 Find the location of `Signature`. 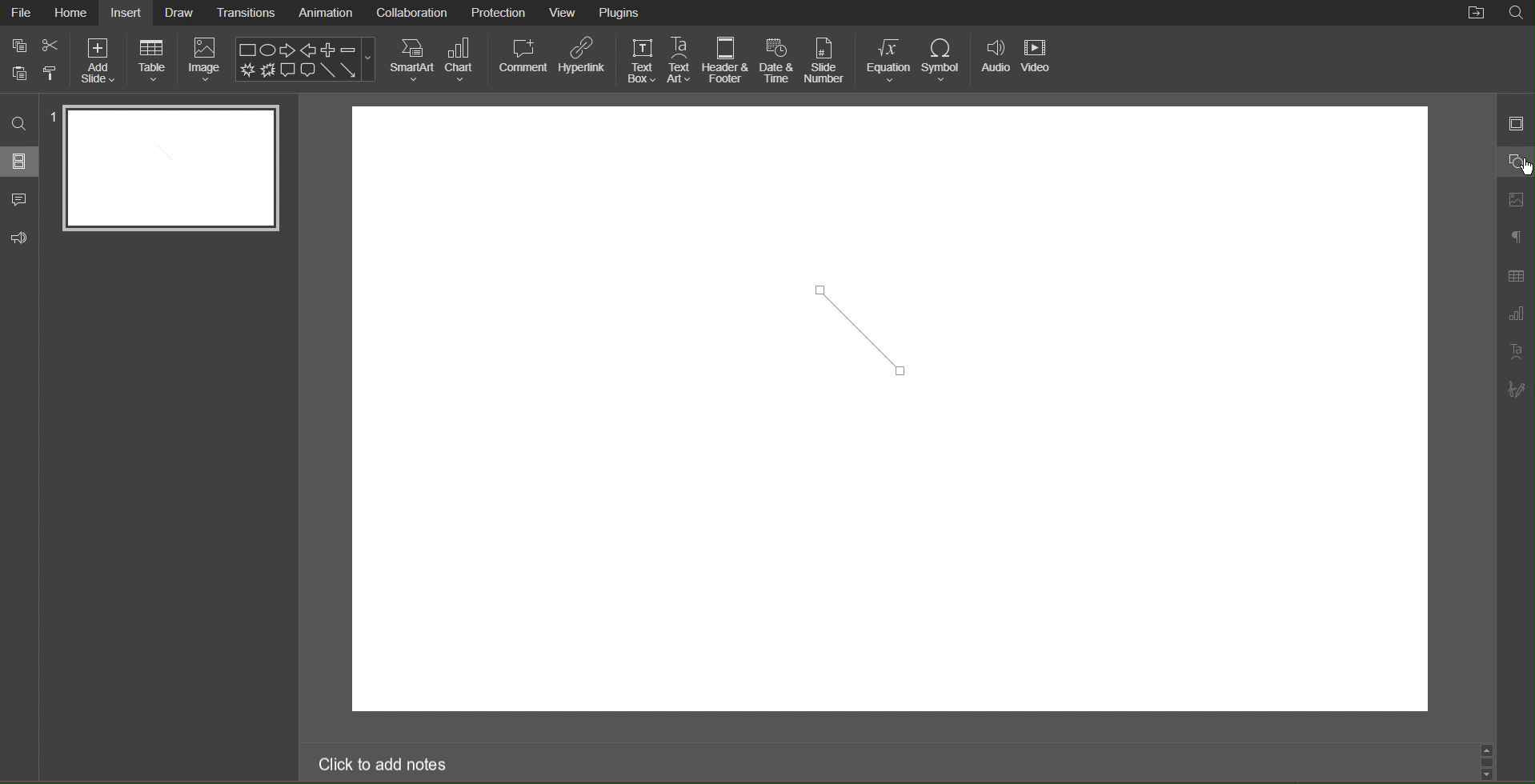

Signature is located at coordinates (1517, 390).